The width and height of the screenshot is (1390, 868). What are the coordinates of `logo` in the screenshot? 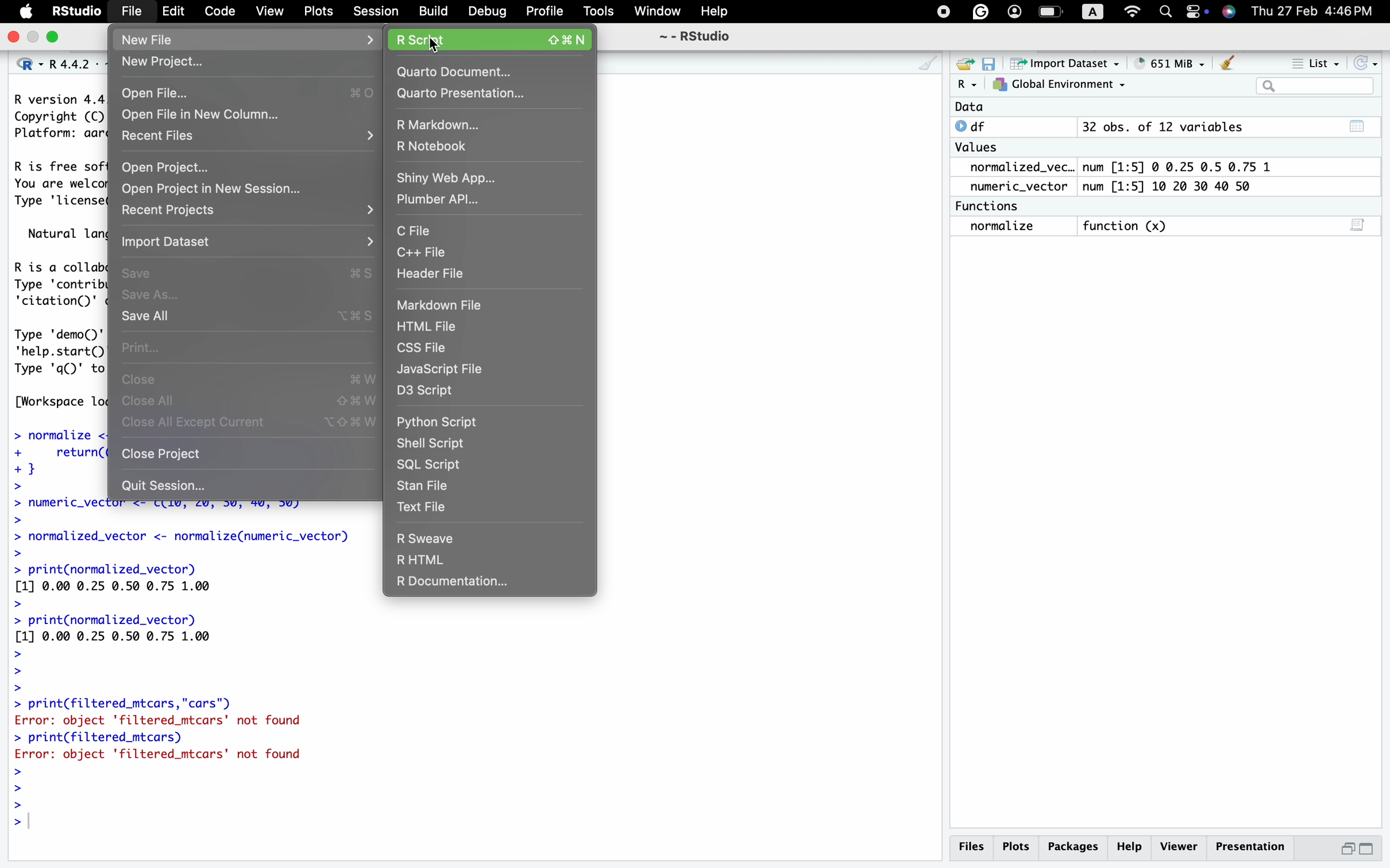 It's located at (26, 12).